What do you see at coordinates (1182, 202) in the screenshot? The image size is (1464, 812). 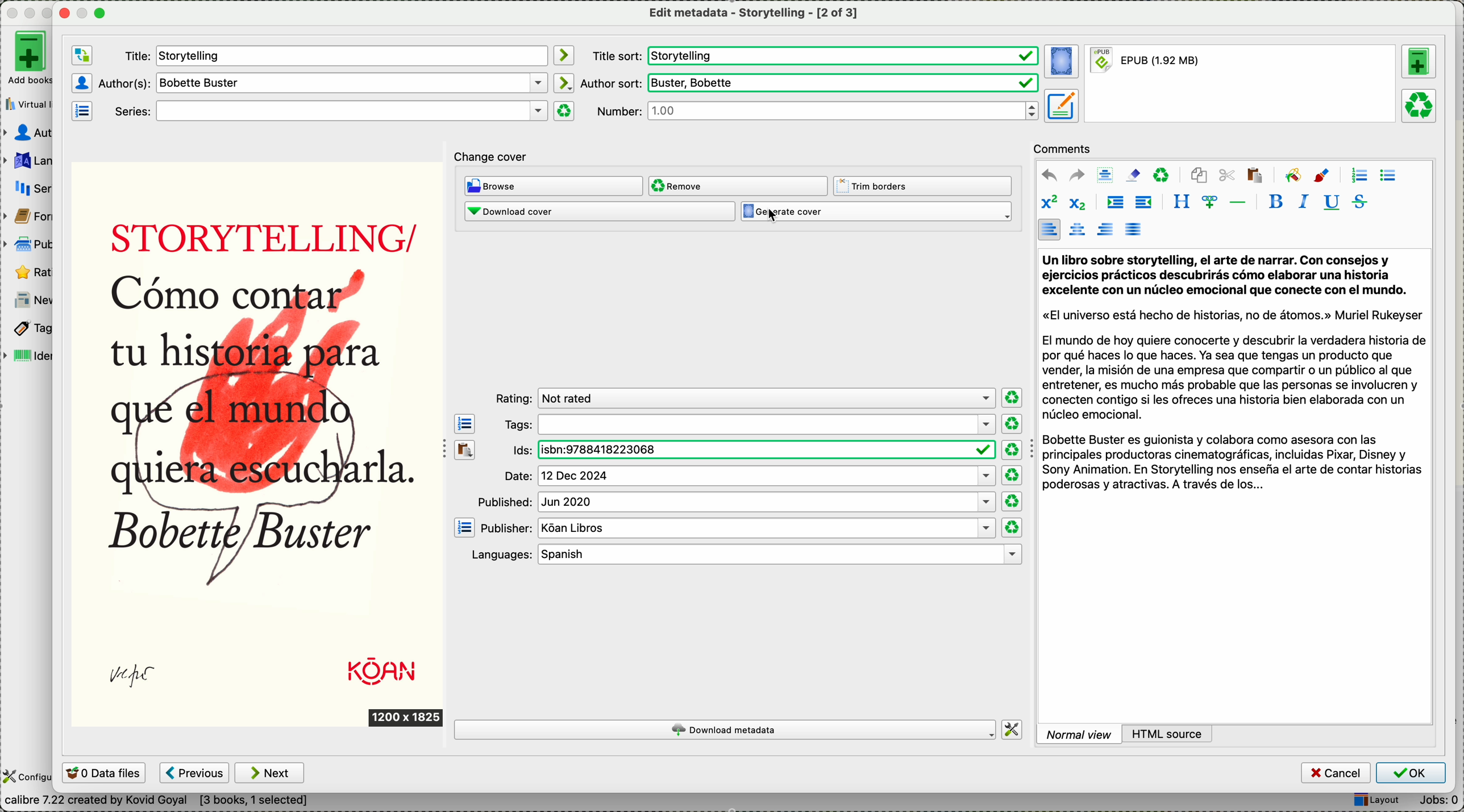 I see `headings` at bounding box center [1182, 202].